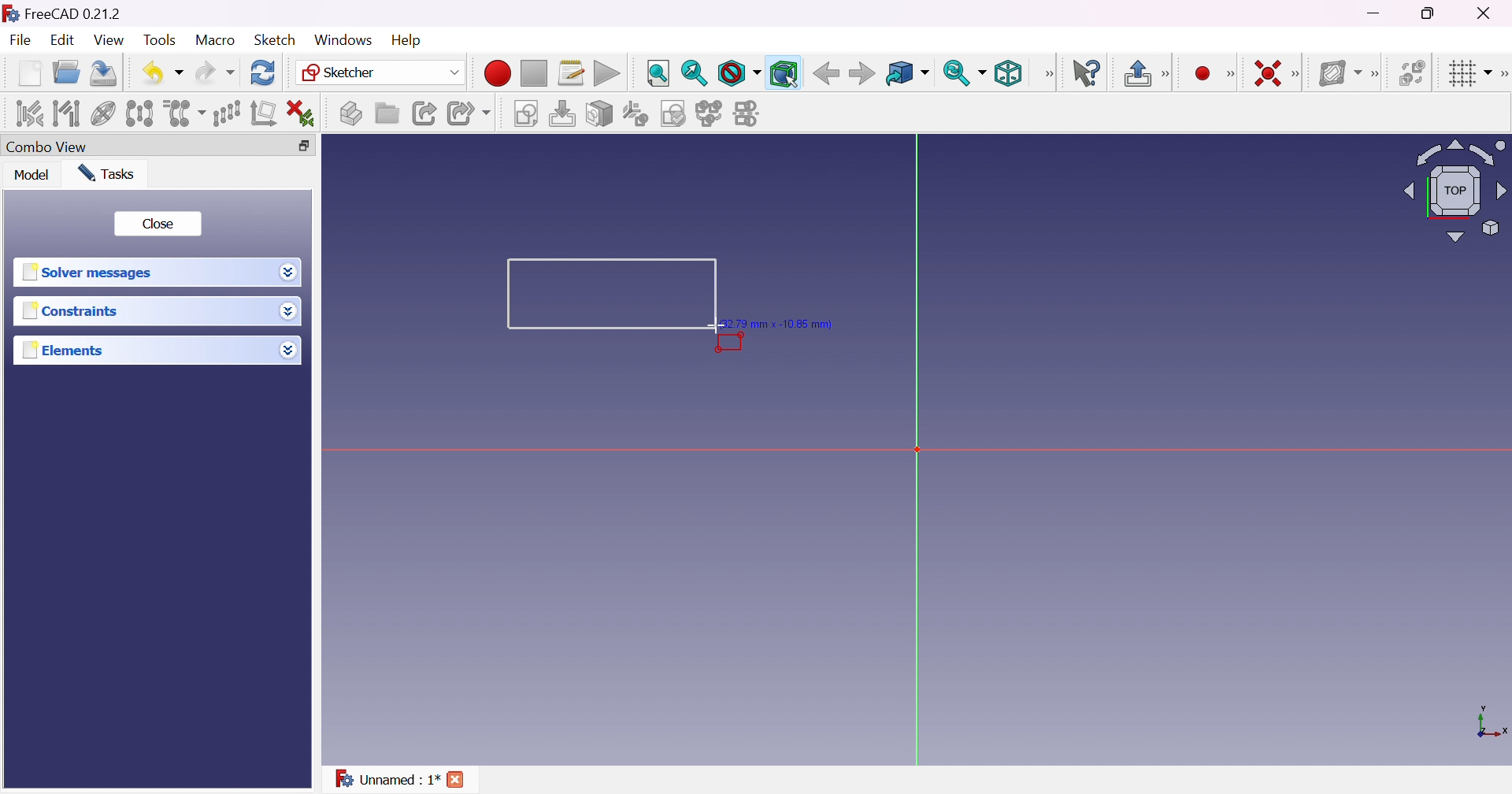  I want to click on Cross, so click(454, 779).